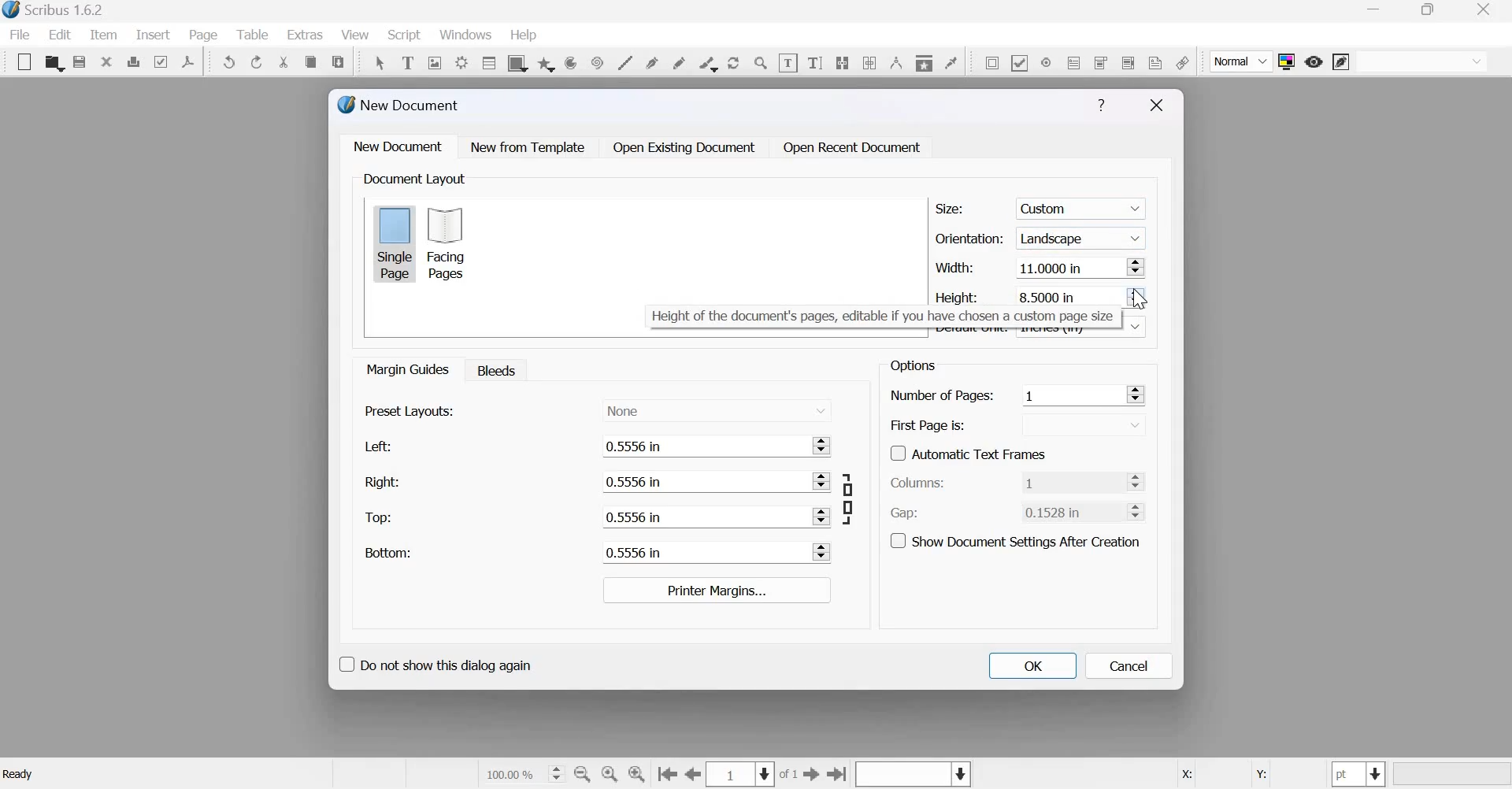 The image size is (1512, 789). Describe the element at coordinates (822, 516) in the screenshot. I see `Increase and Decrease` at that location.